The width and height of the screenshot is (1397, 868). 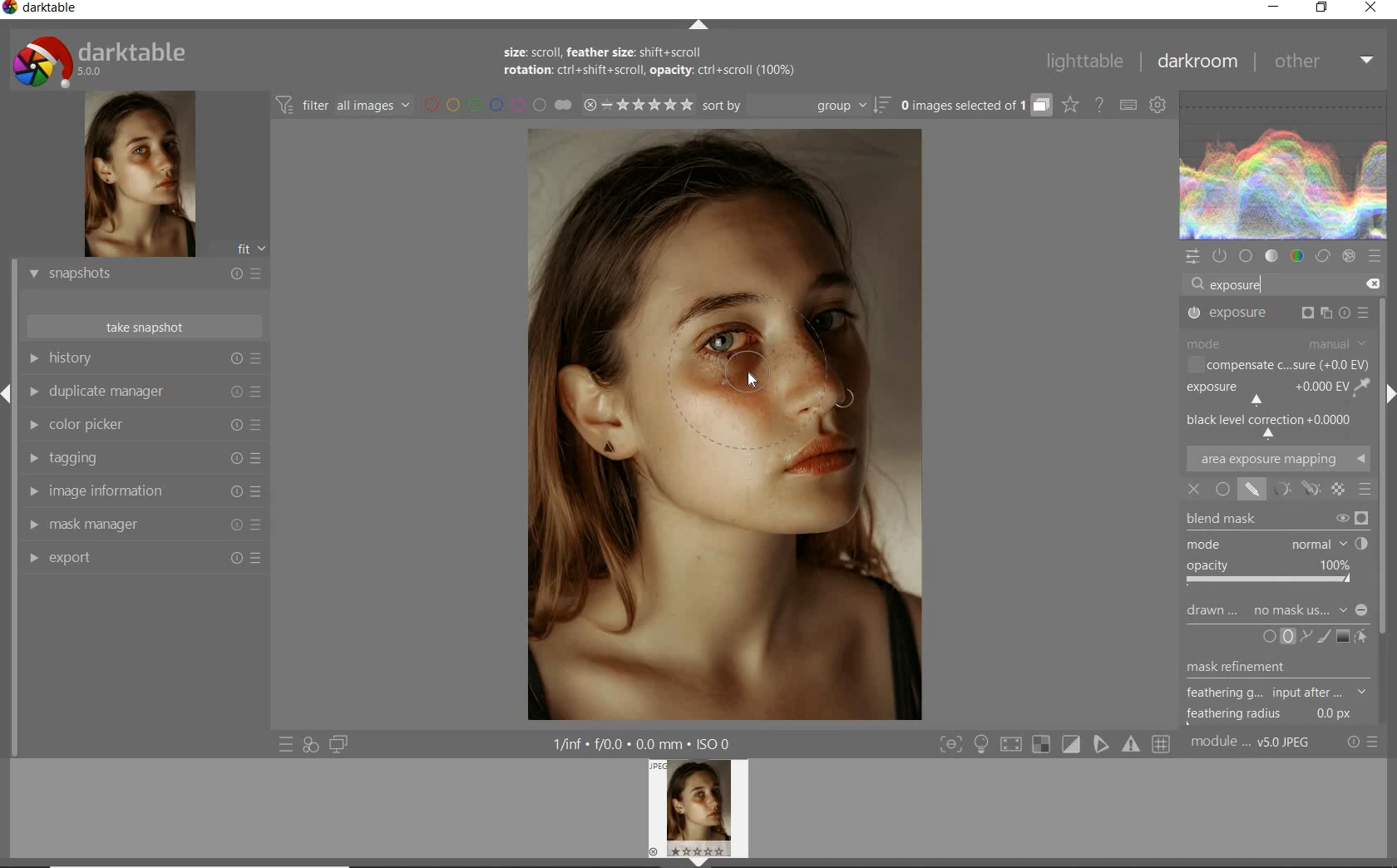 I want to click on base, so click(x=1246, y=256).